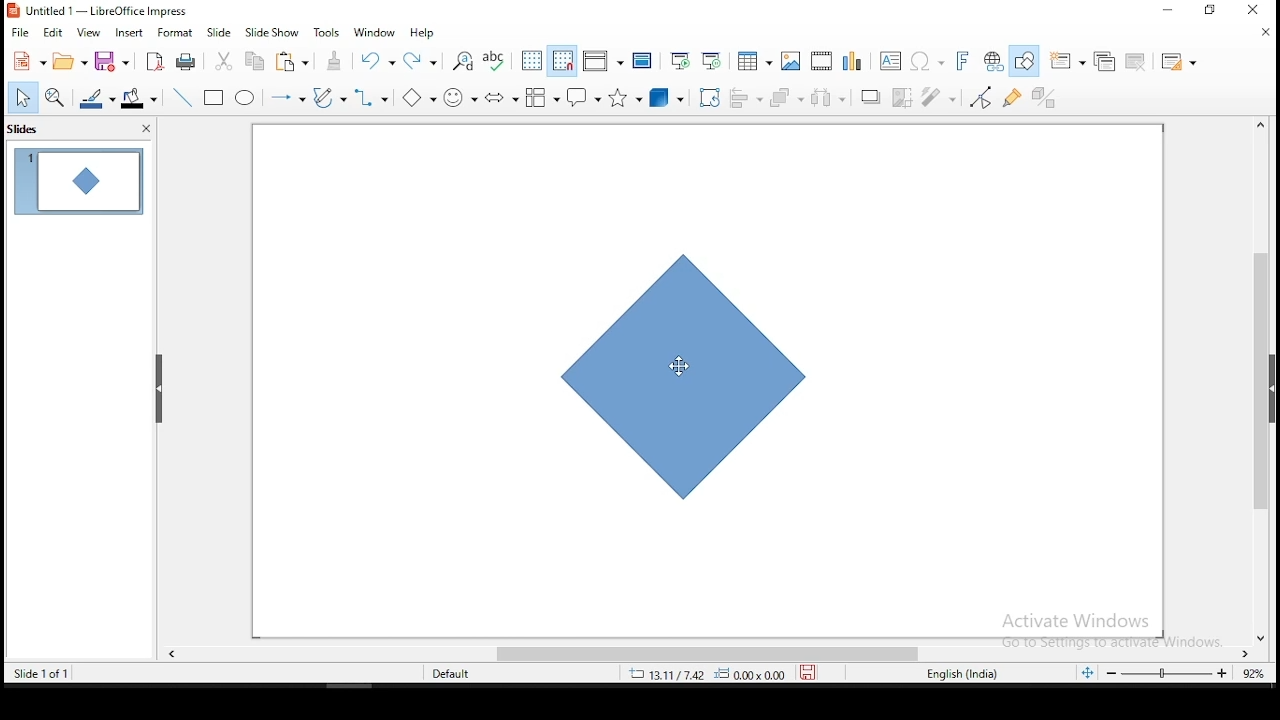  What do you see at coordinates (99, 12) in the screenshot?
I see `icon and filename` at bounding box center [99, 12].